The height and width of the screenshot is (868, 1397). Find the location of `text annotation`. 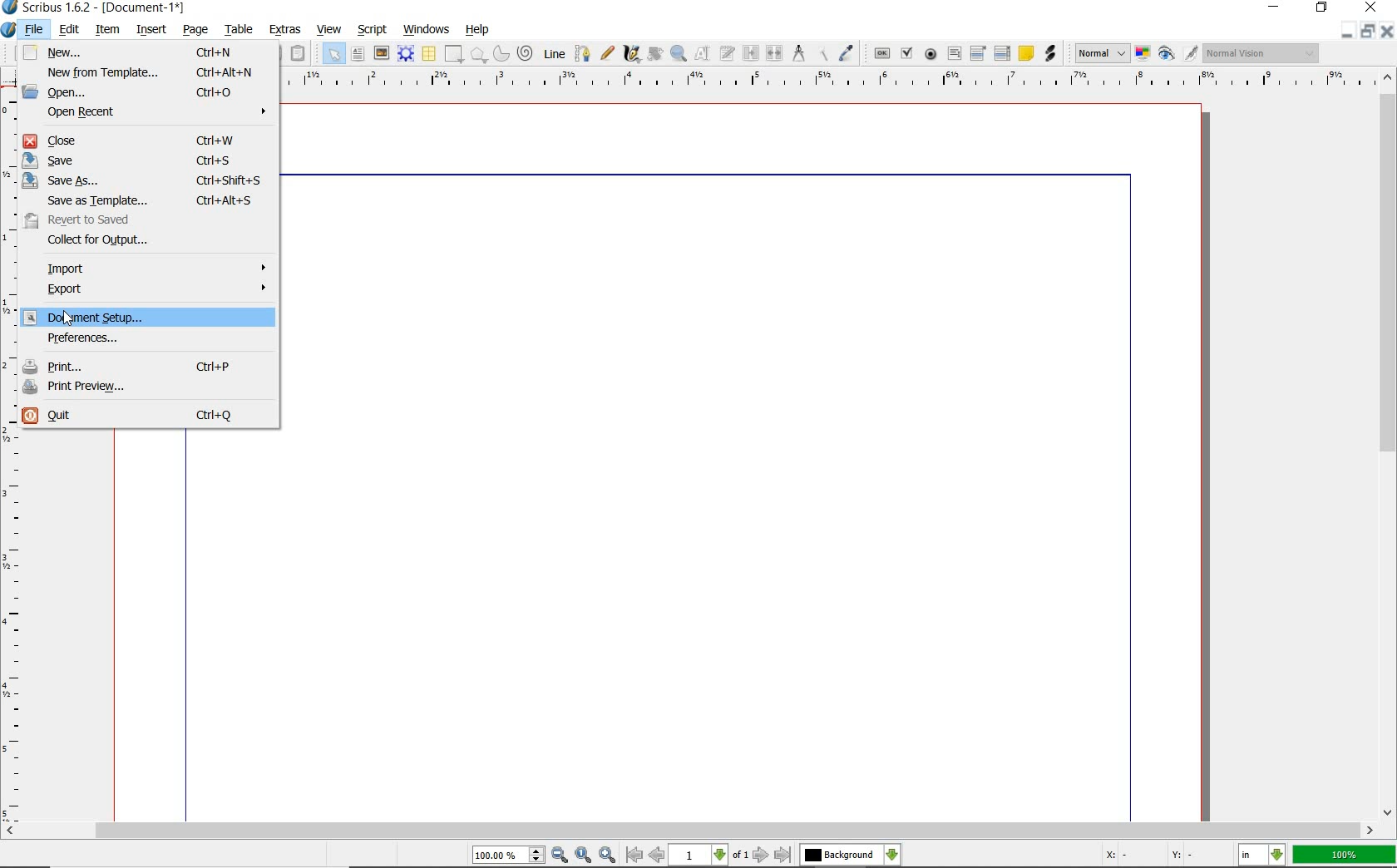

text annotation is located at coordinates (1025, 55).